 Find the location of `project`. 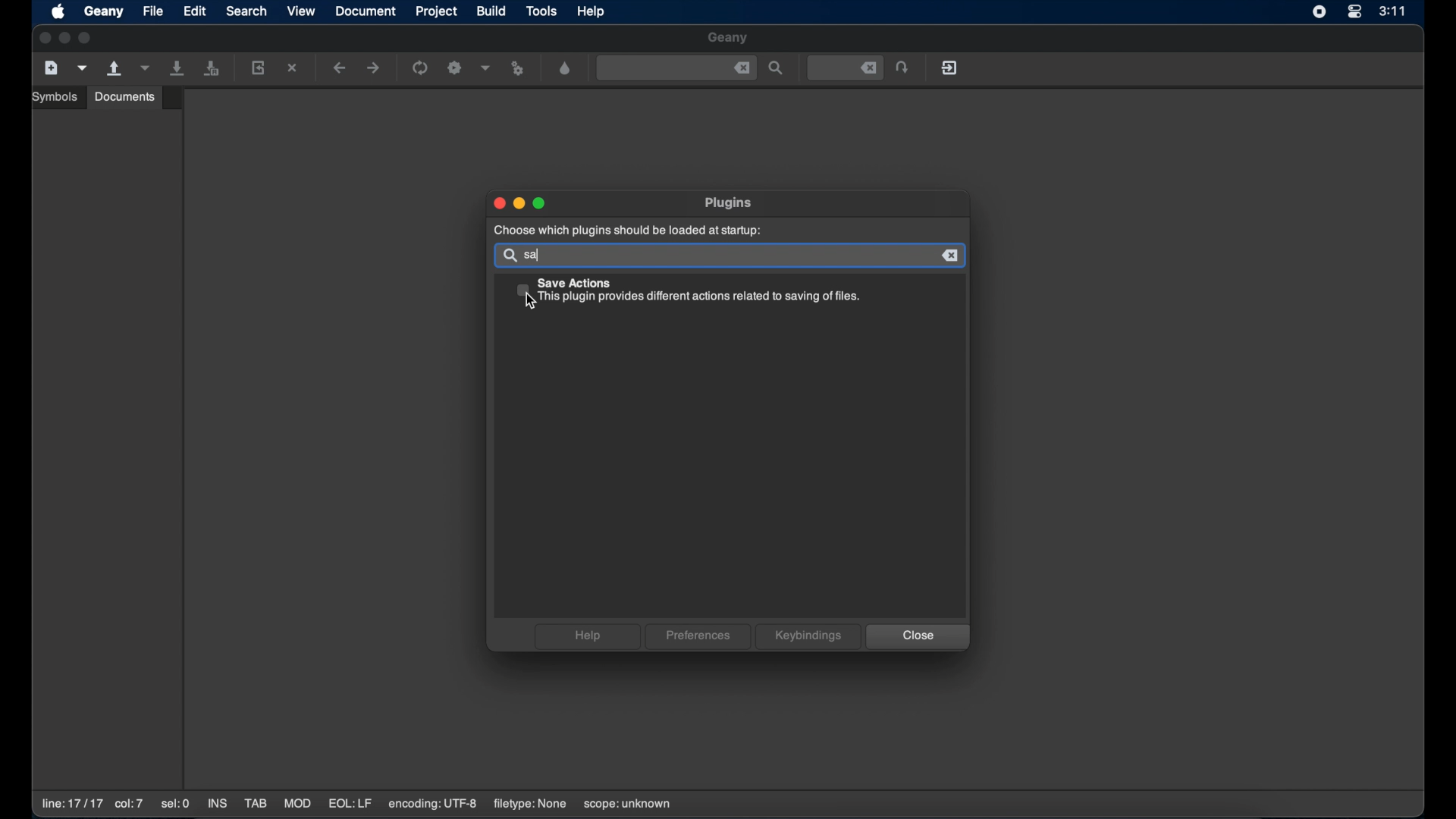

project is located at coordinates (438, 11).